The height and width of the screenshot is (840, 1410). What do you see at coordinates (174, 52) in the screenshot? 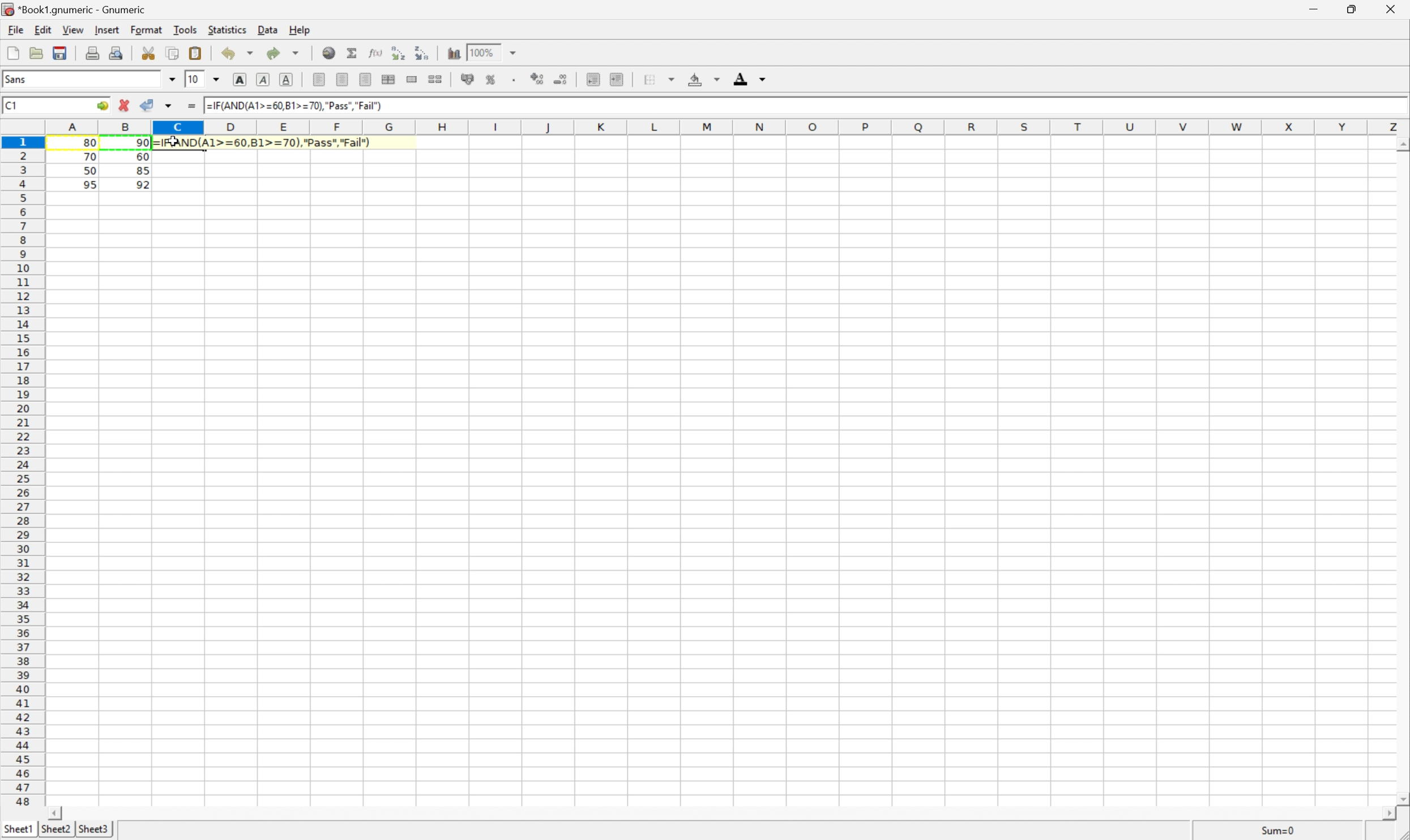
I see `Copy the selection` at bounding box center [174, 52].